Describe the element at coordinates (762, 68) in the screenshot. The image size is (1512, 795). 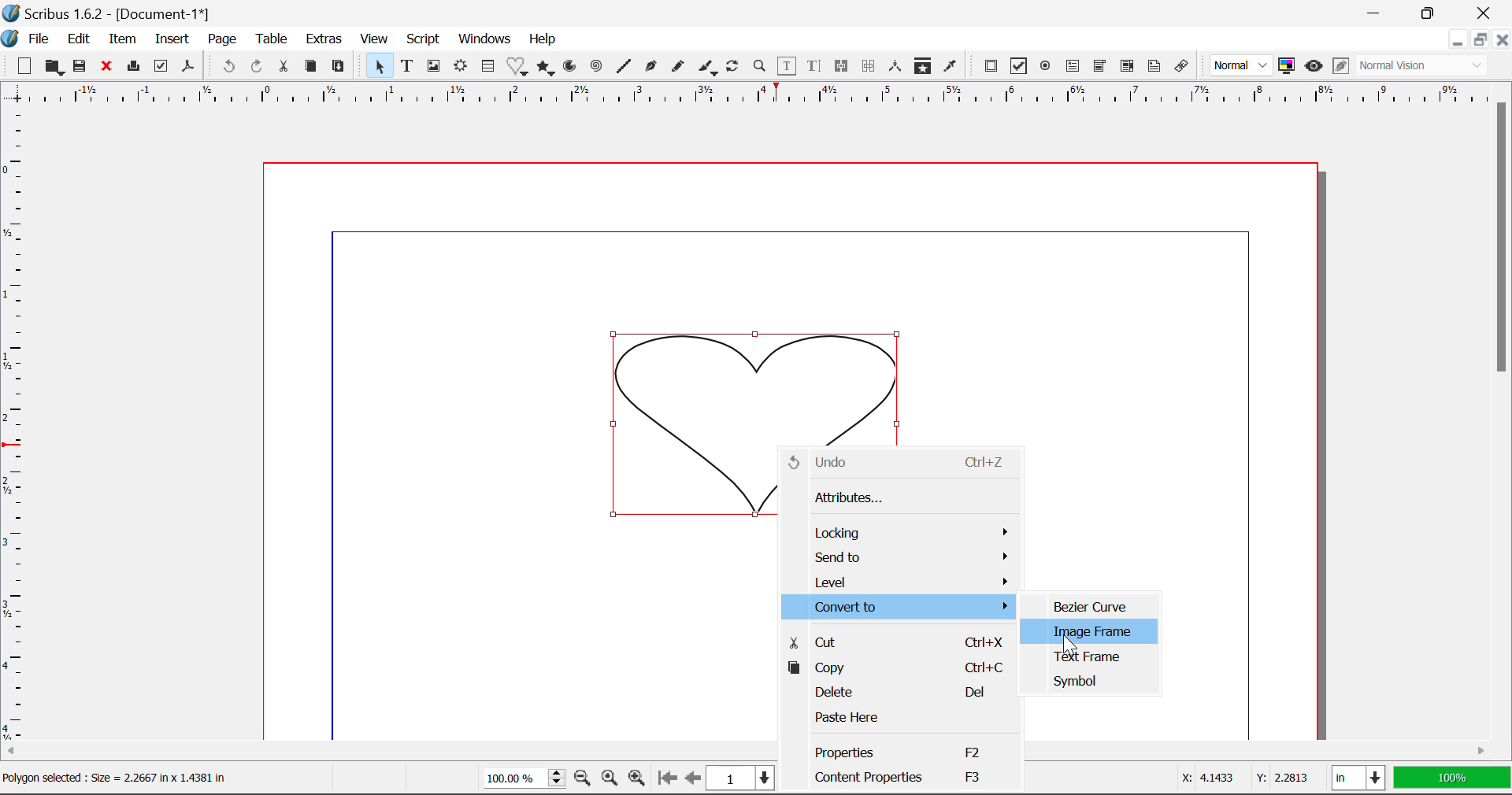
I see `Zoom` at that location.